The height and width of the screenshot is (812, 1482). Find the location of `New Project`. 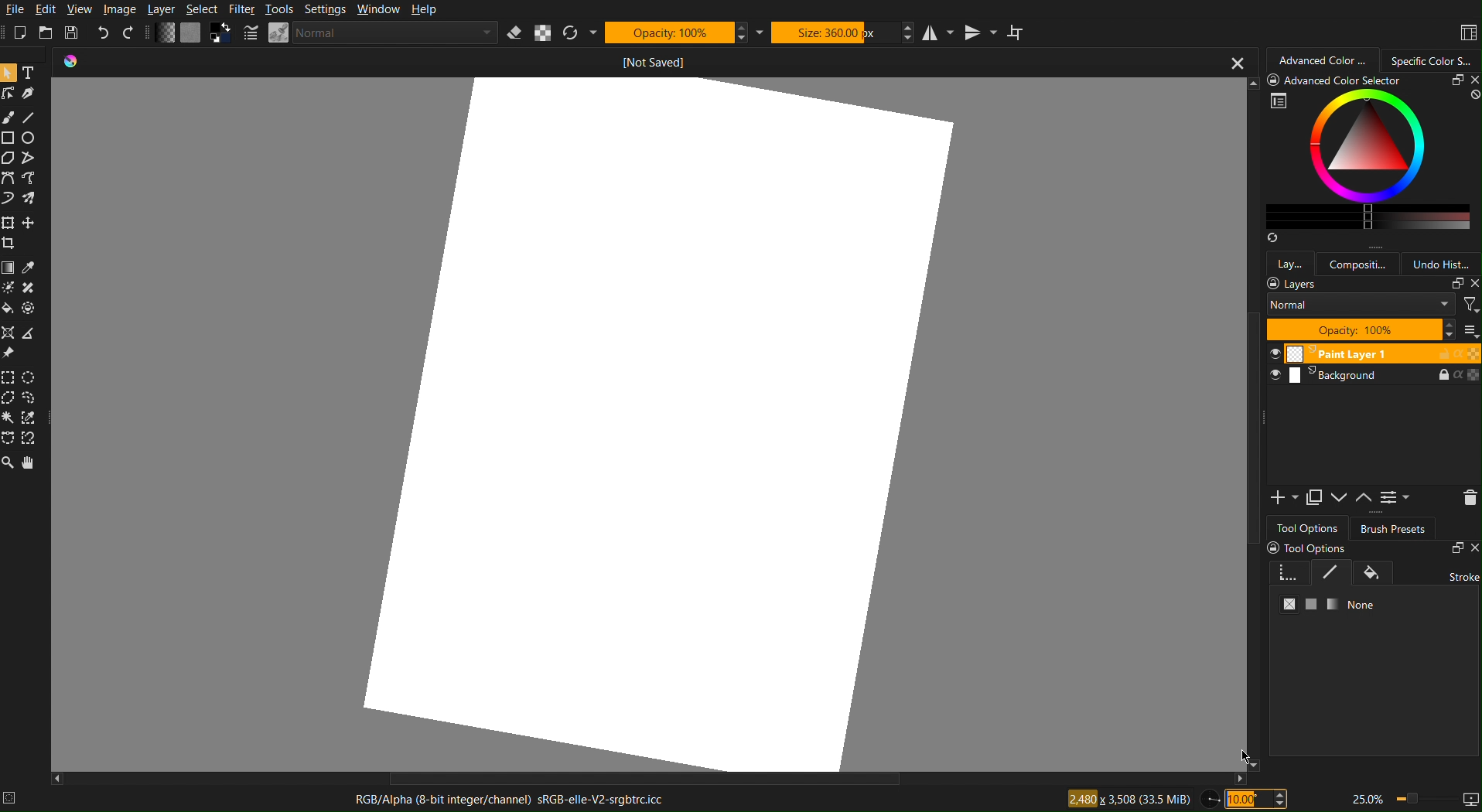

New Project is located at coordinates (19, 32).